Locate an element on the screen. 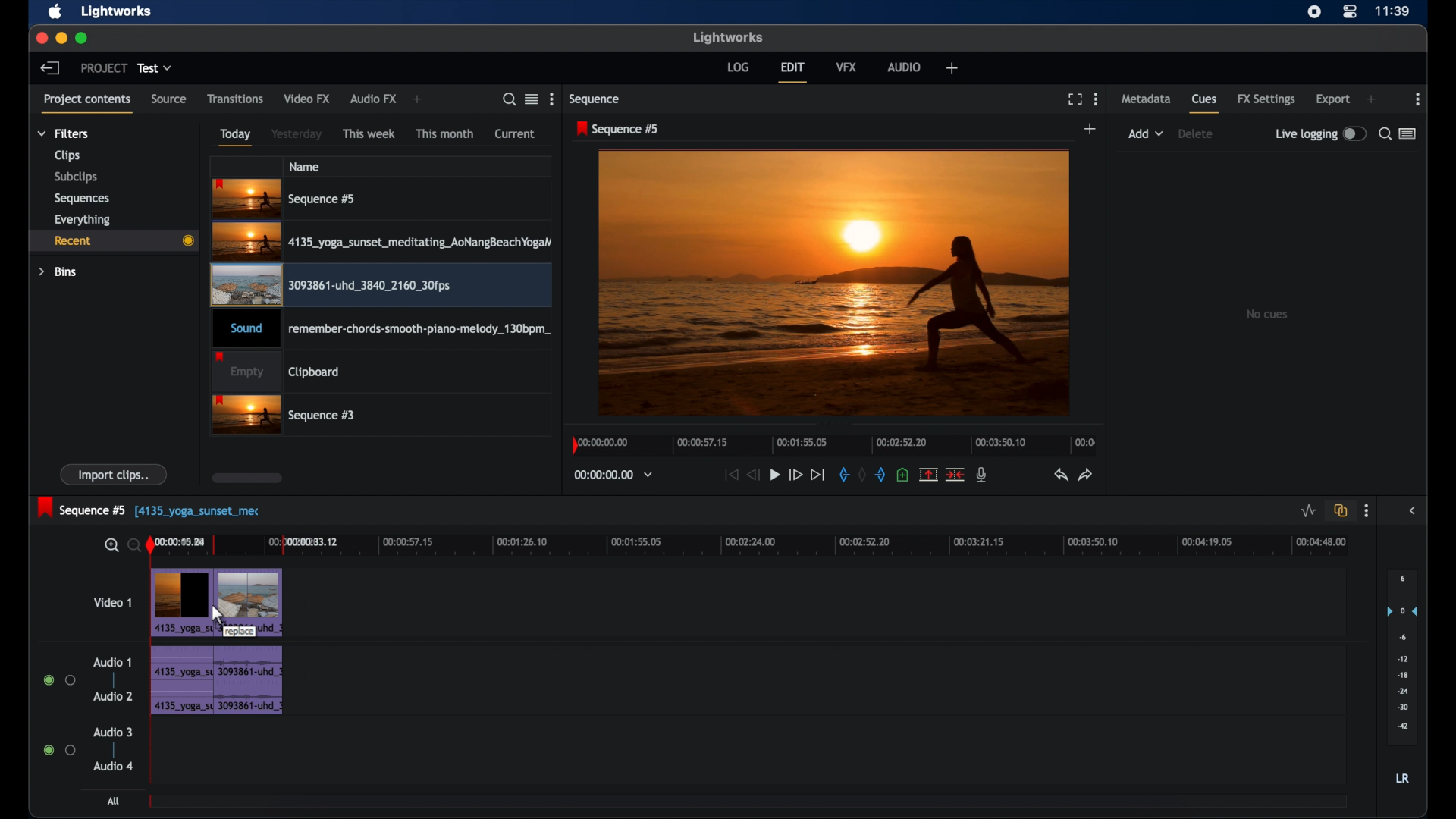 The height and width of the screenshot is (819, 1456). import clips is located at coordinates (114, 474).